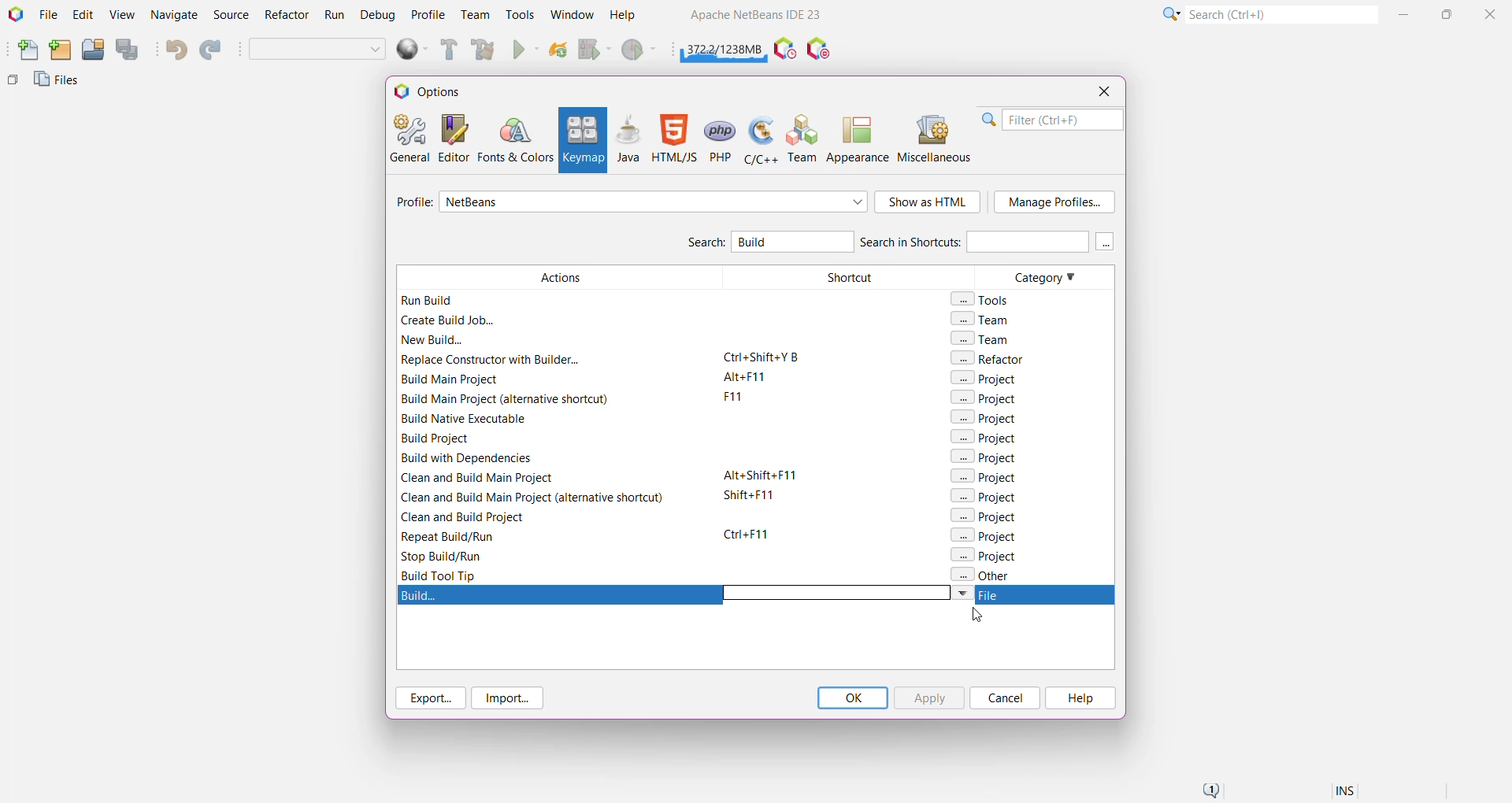 This screenshot has height=803, width=1512. What do you see at coordinates (60, 50) in the screenshot?
I see `New Project` at bounding box center [60, 50].